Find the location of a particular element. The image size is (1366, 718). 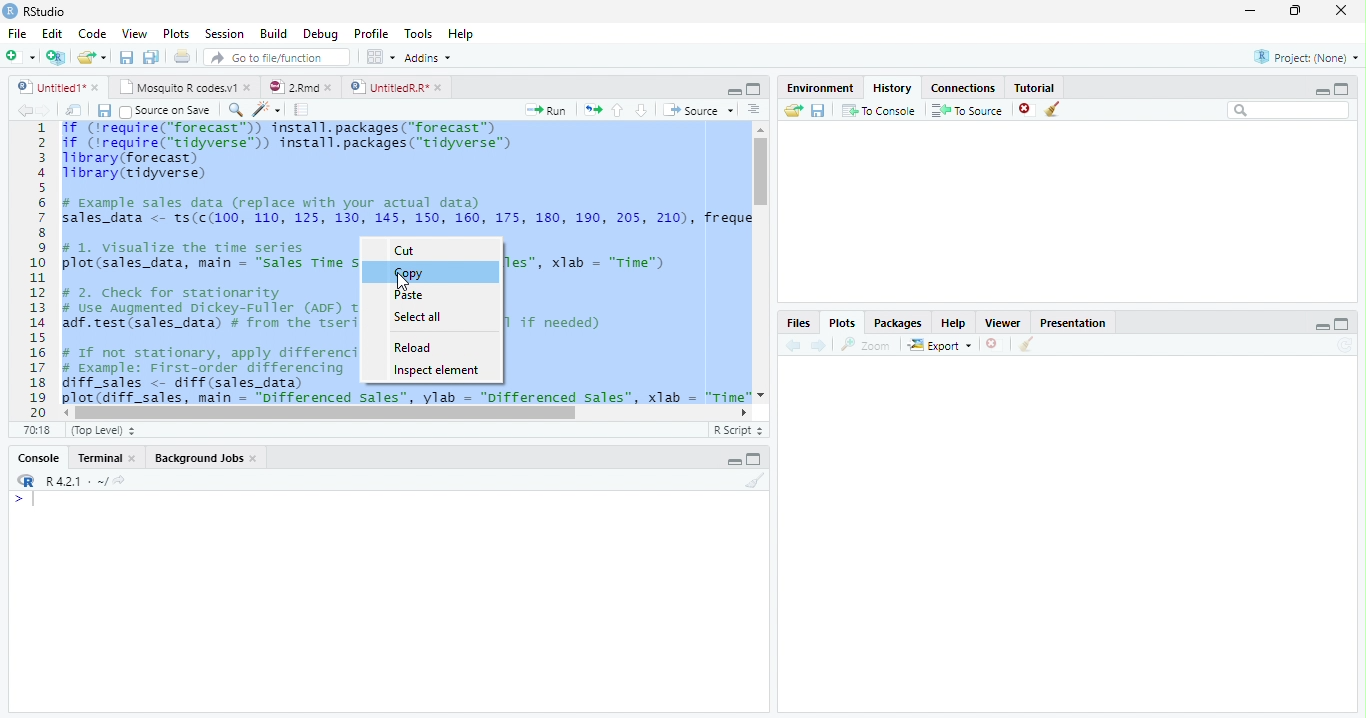

R Script is located at coordinates (737, 431).